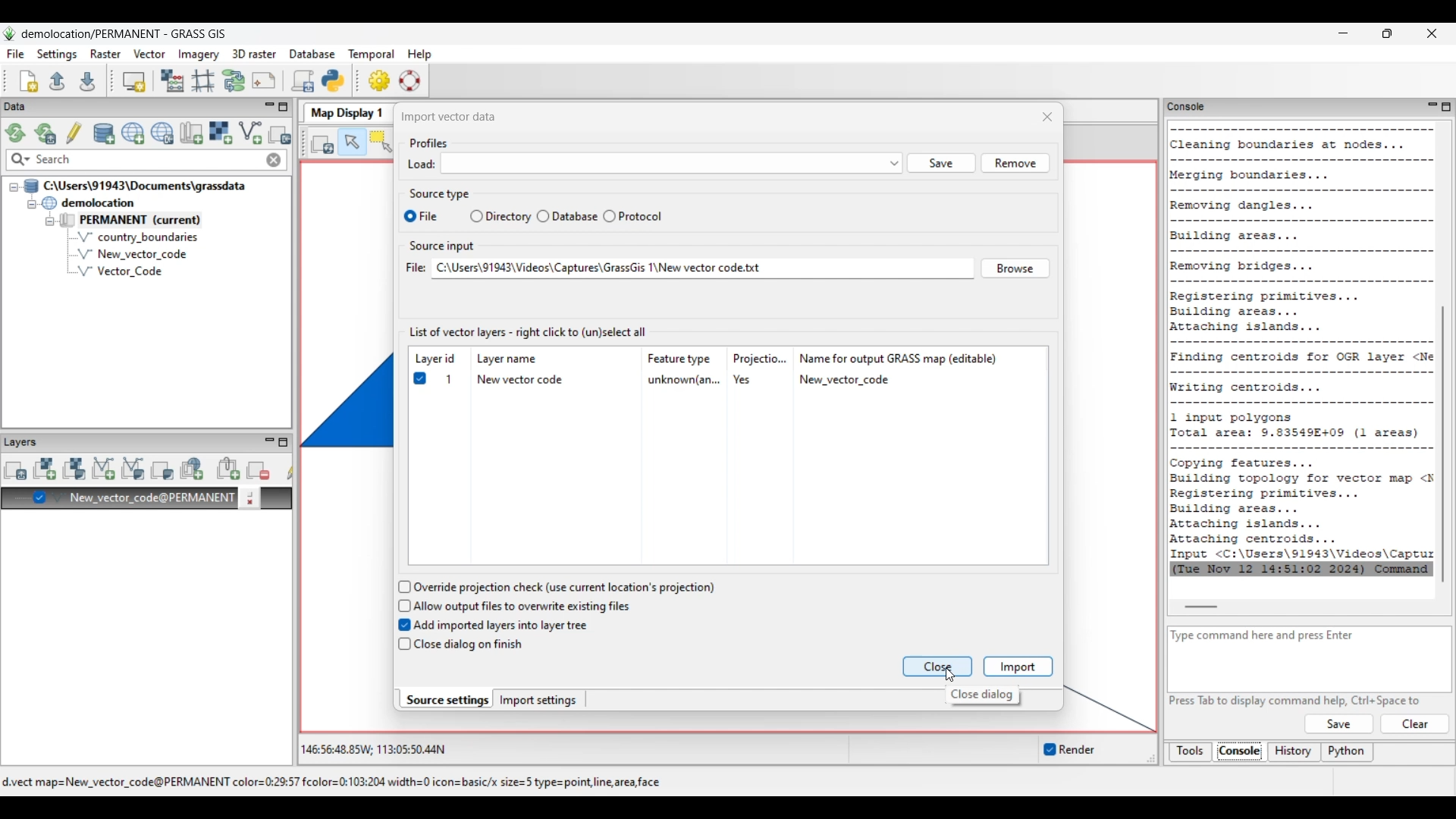  Describe the element at coordinates (441, 193) in the screenshot. I see `Source type` at that location.